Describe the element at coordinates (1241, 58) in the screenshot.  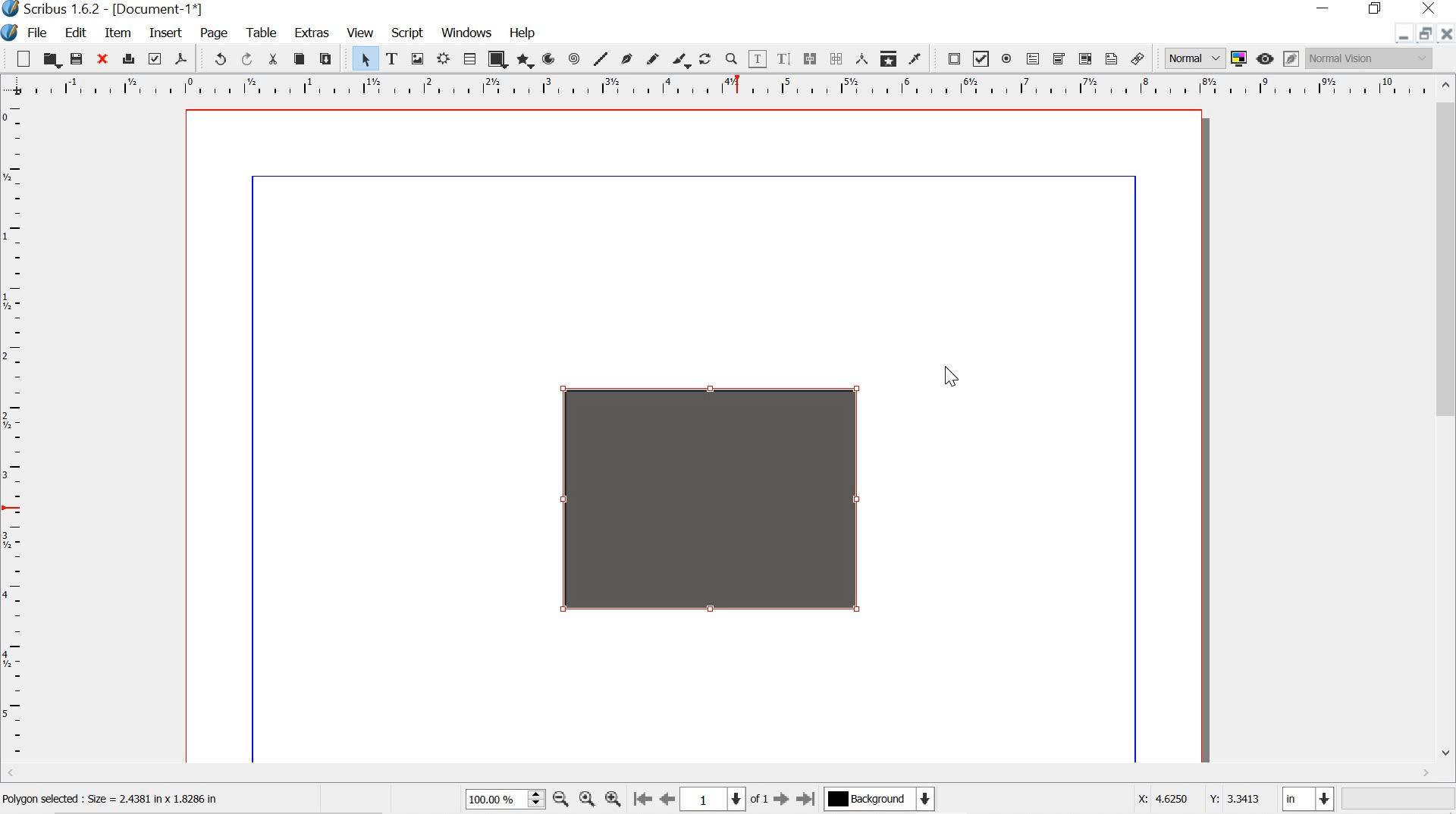
I see `toggle color management system` at that location.